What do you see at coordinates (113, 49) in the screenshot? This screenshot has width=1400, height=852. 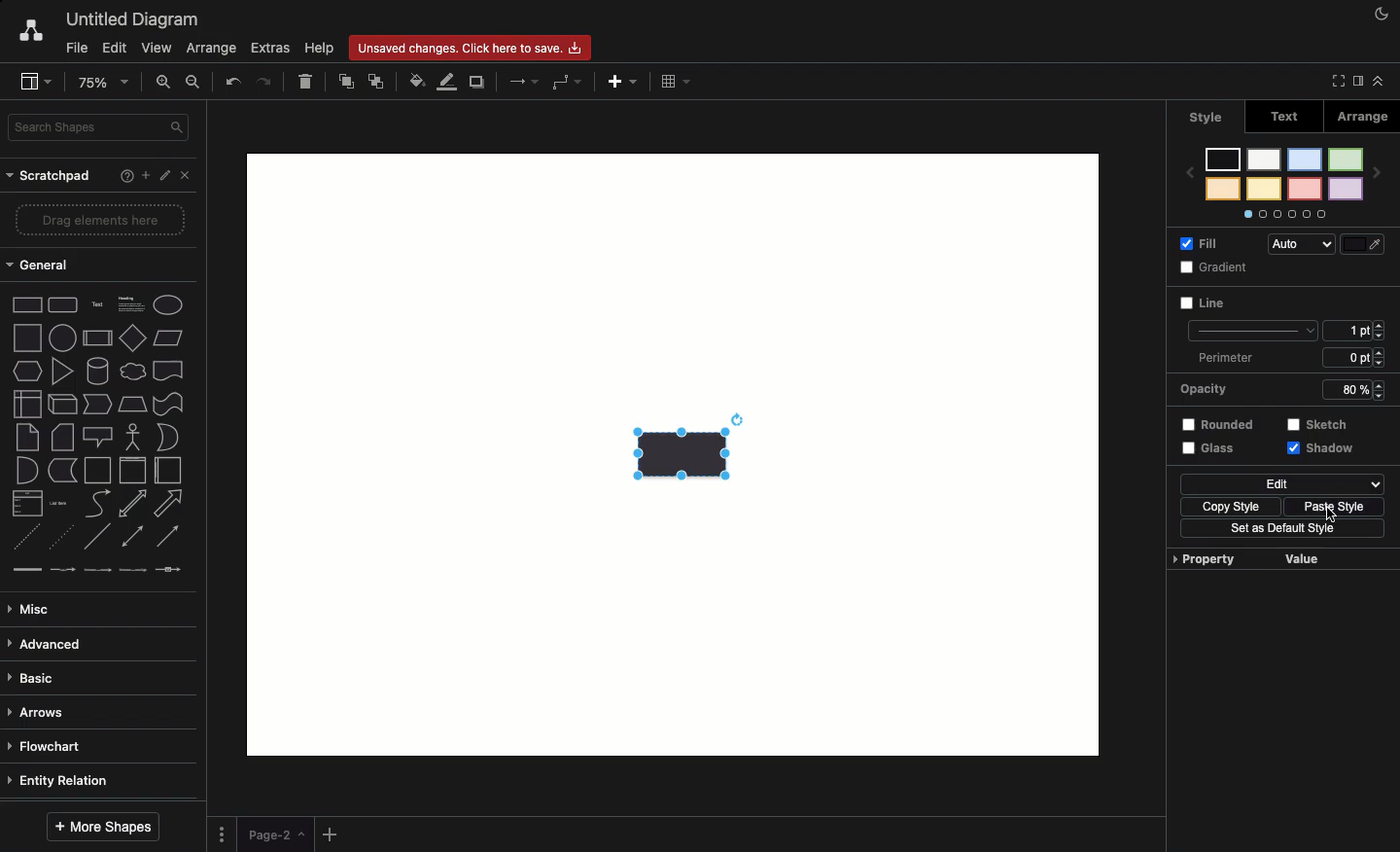 I see `Edit` at bounding box center [113, 49].